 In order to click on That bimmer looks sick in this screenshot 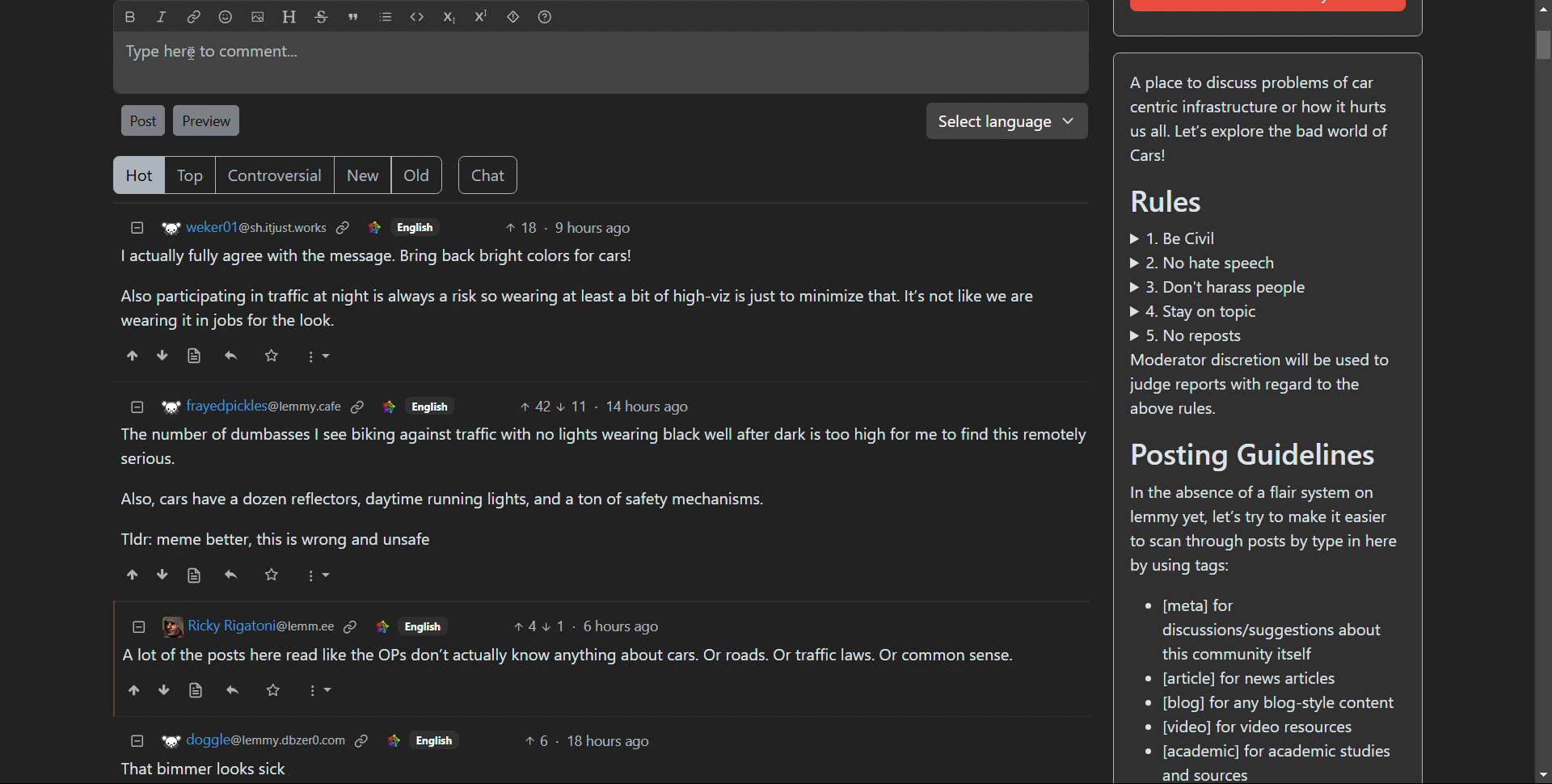, I will do `click(204, 769)`.